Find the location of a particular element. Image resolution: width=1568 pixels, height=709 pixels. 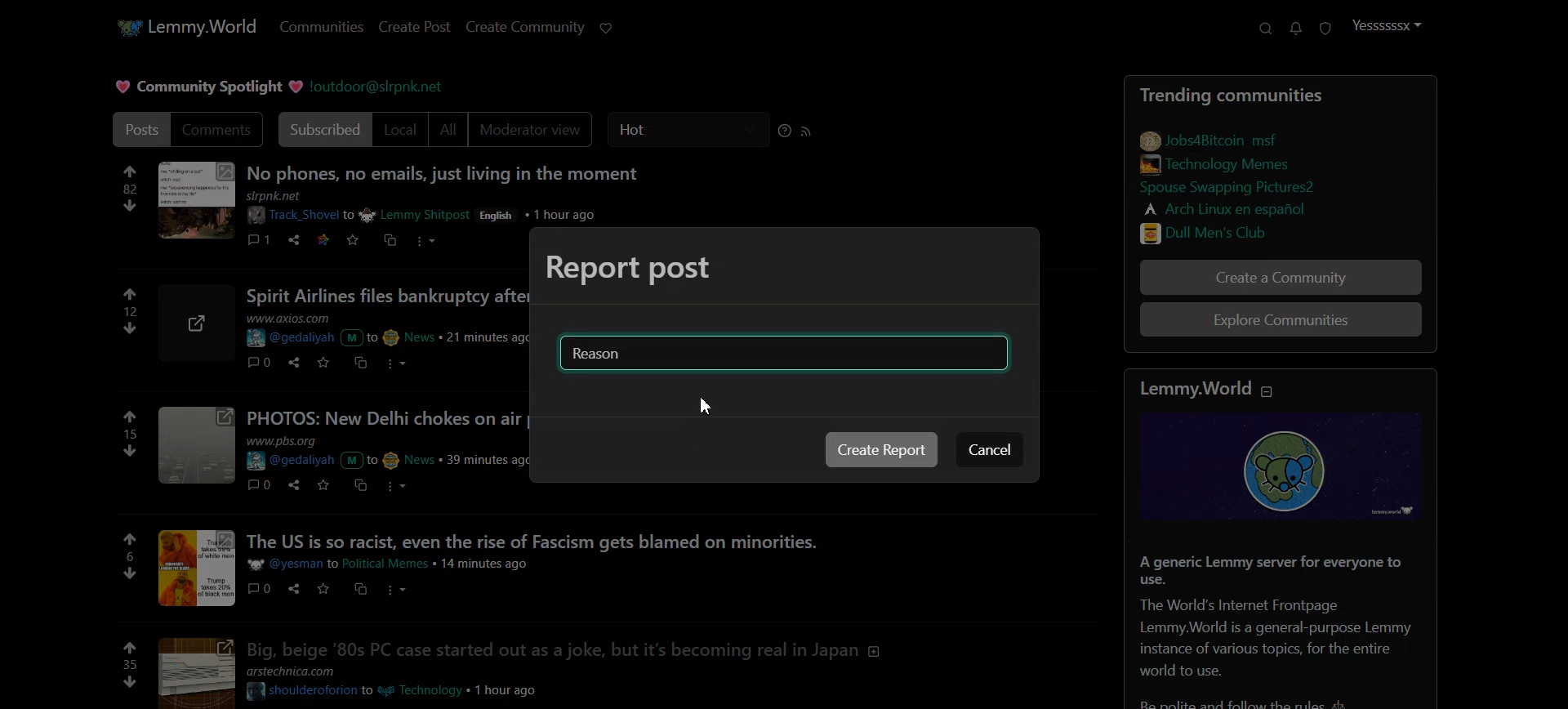

link is located at coordinates (1211, 138).